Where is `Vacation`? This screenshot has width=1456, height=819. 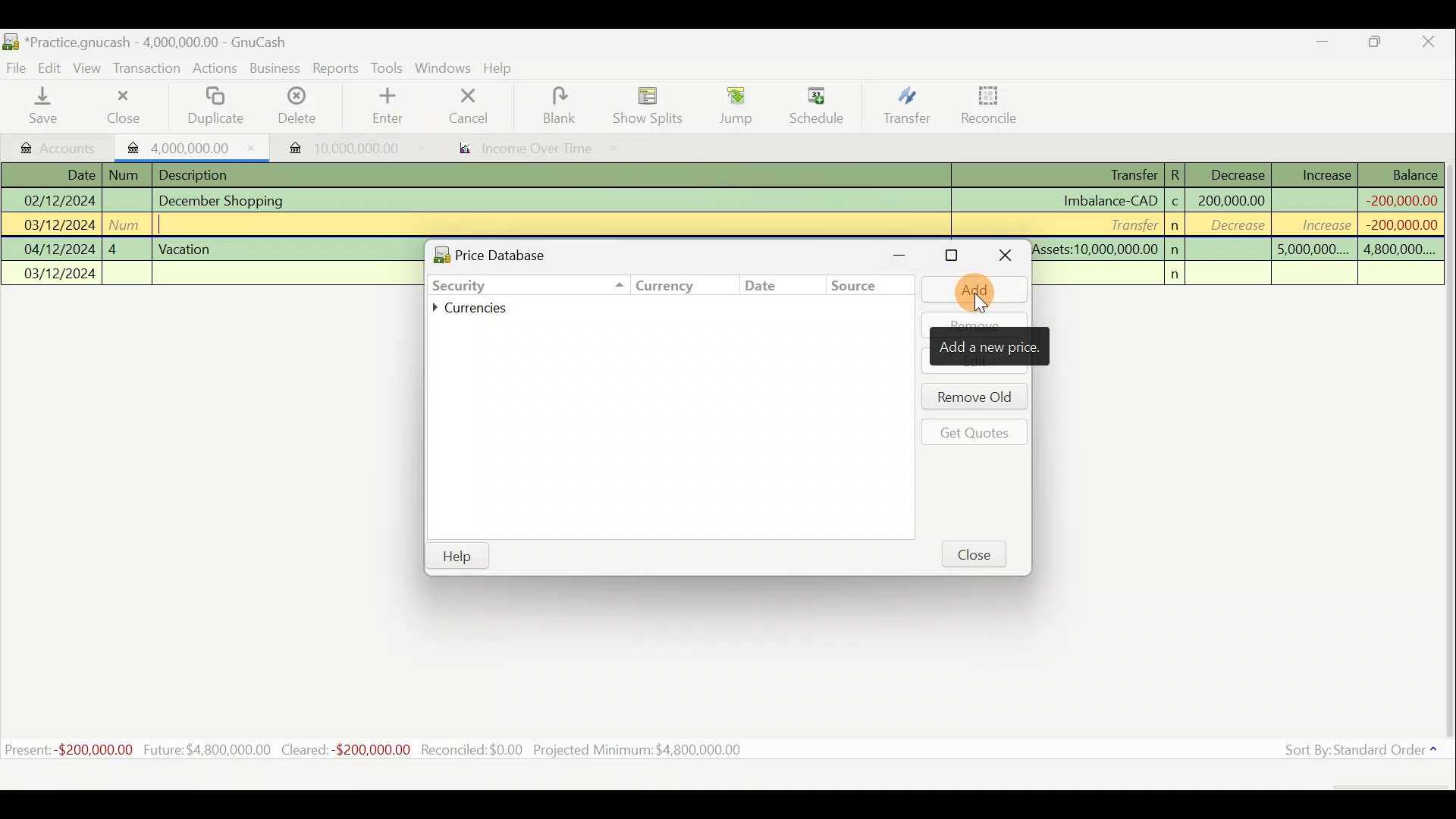
Vacation is located at coordinates (187, 247).